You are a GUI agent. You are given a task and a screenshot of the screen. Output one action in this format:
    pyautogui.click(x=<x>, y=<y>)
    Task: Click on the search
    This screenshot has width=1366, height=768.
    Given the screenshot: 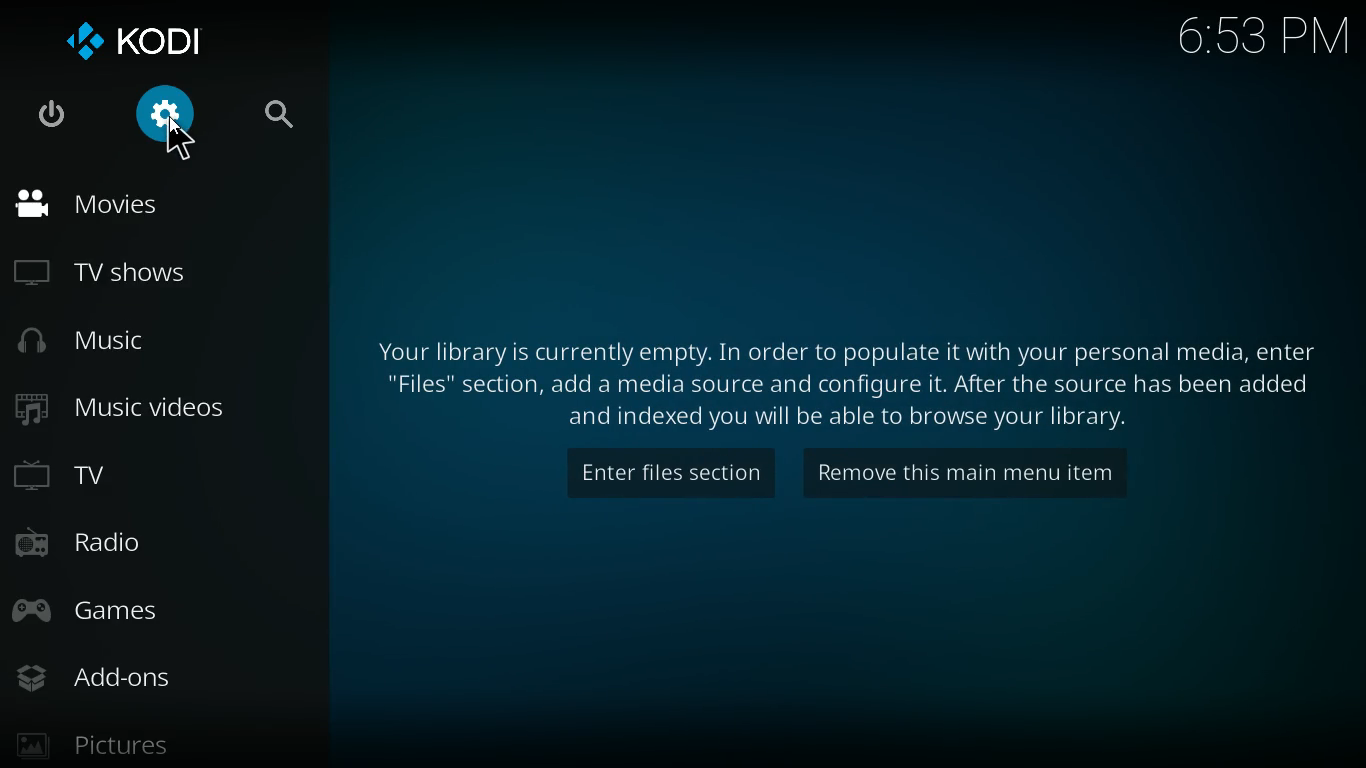 What is the action you would take?
    pyautogui.click(x=281, y=120)
    